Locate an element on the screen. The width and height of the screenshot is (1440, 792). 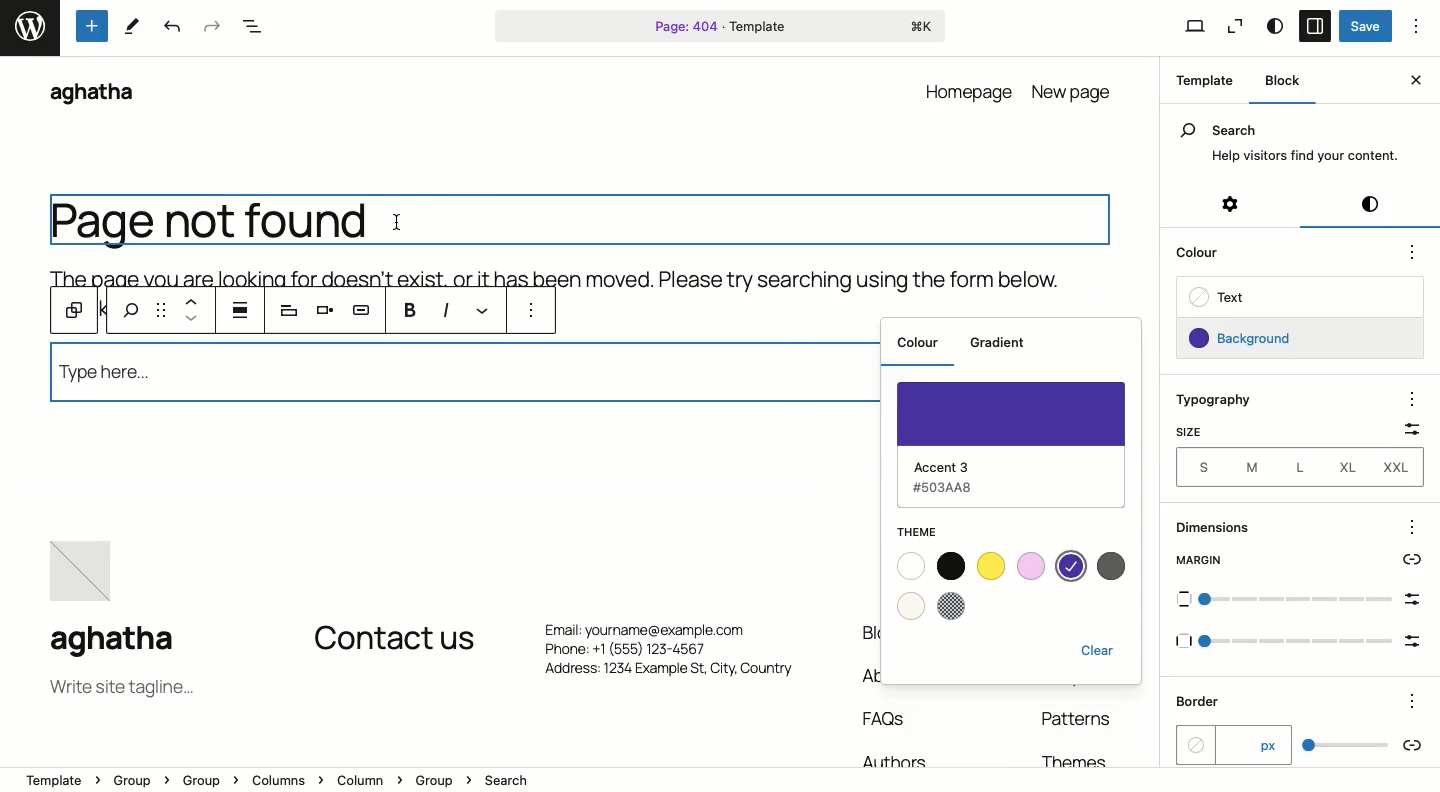
justification is located at coordinates (240, 311).